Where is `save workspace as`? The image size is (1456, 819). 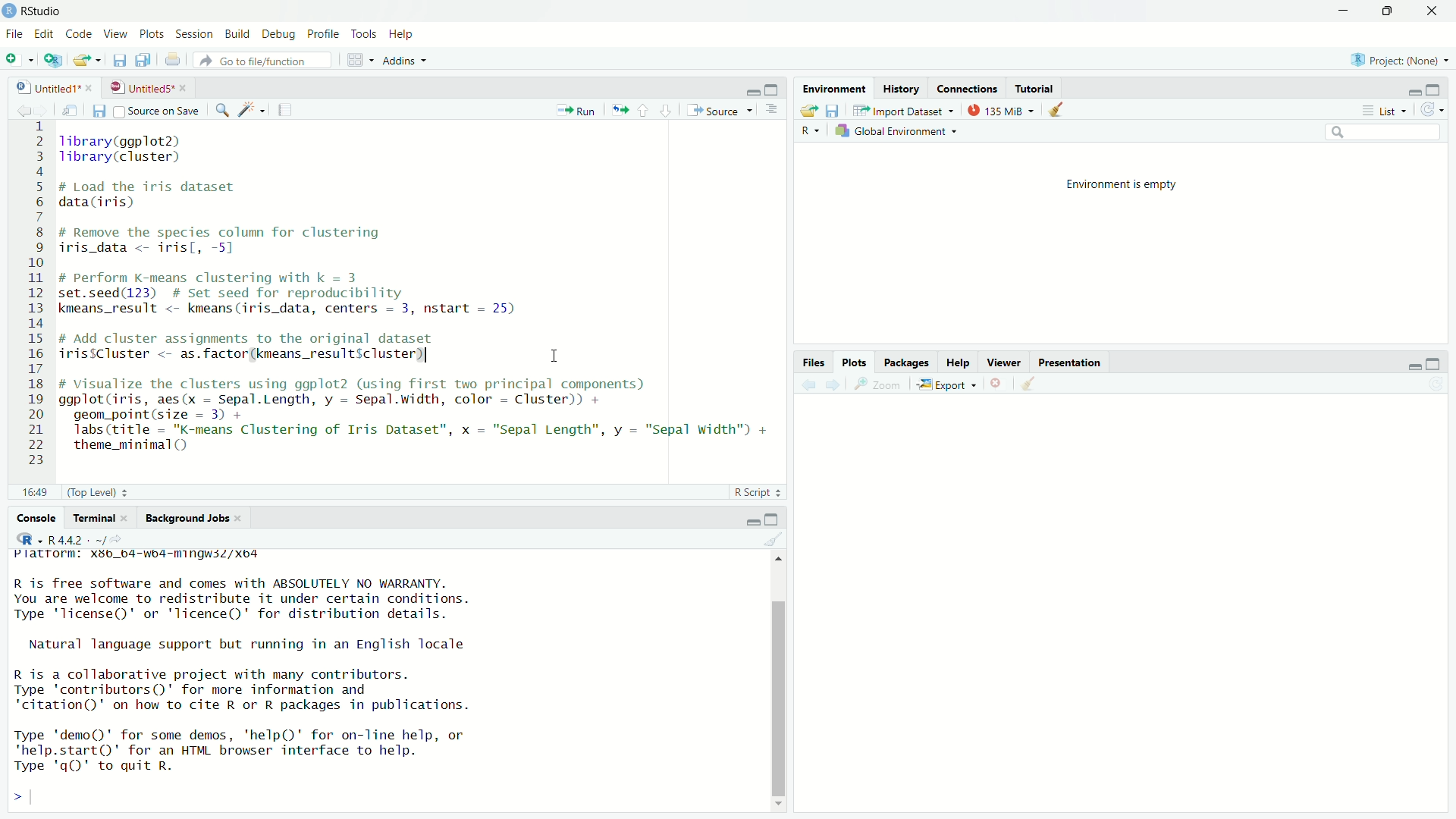 save workspace as is located at coordinates (834, 111).